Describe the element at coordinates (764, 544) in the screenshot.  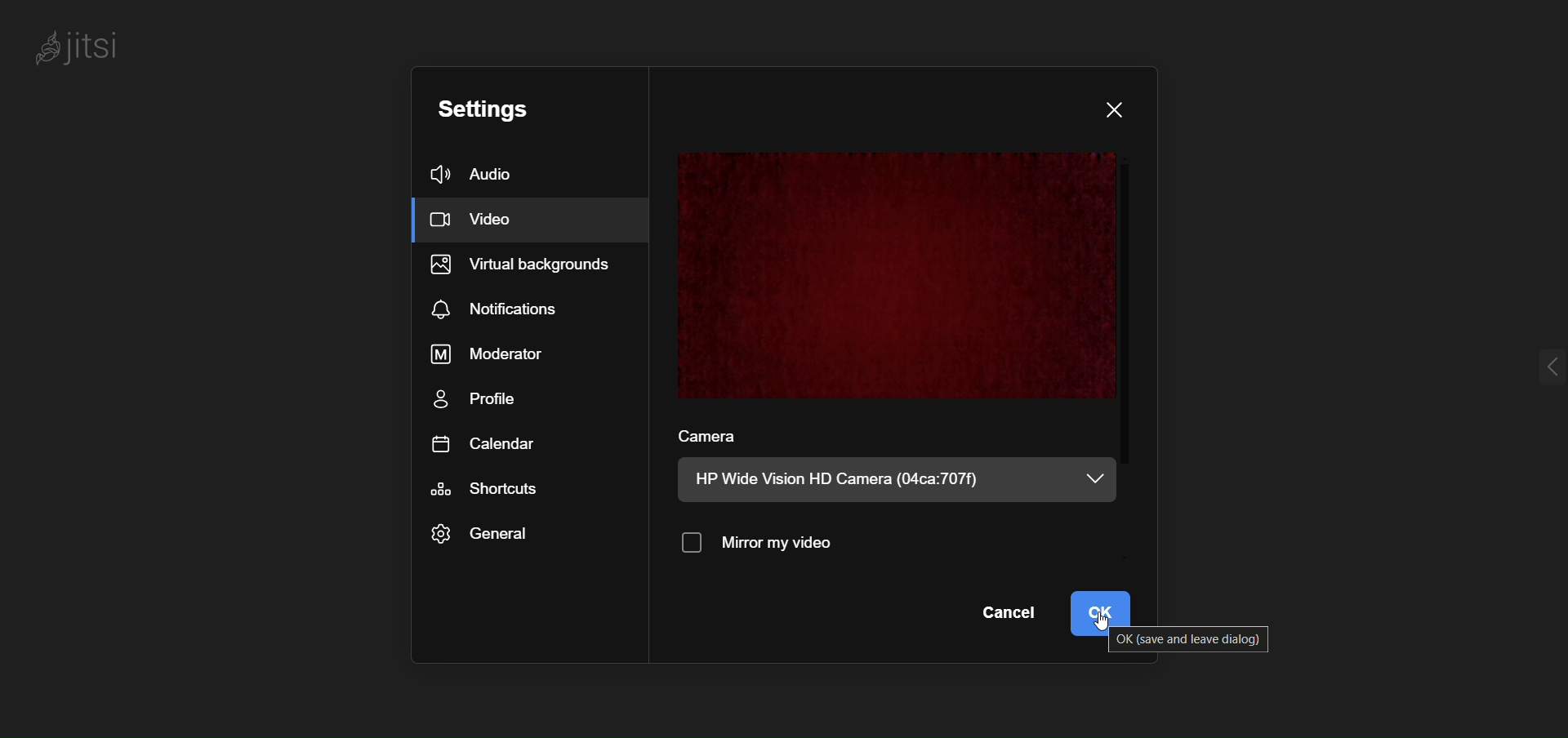
I see `Mirror my video` at that location.